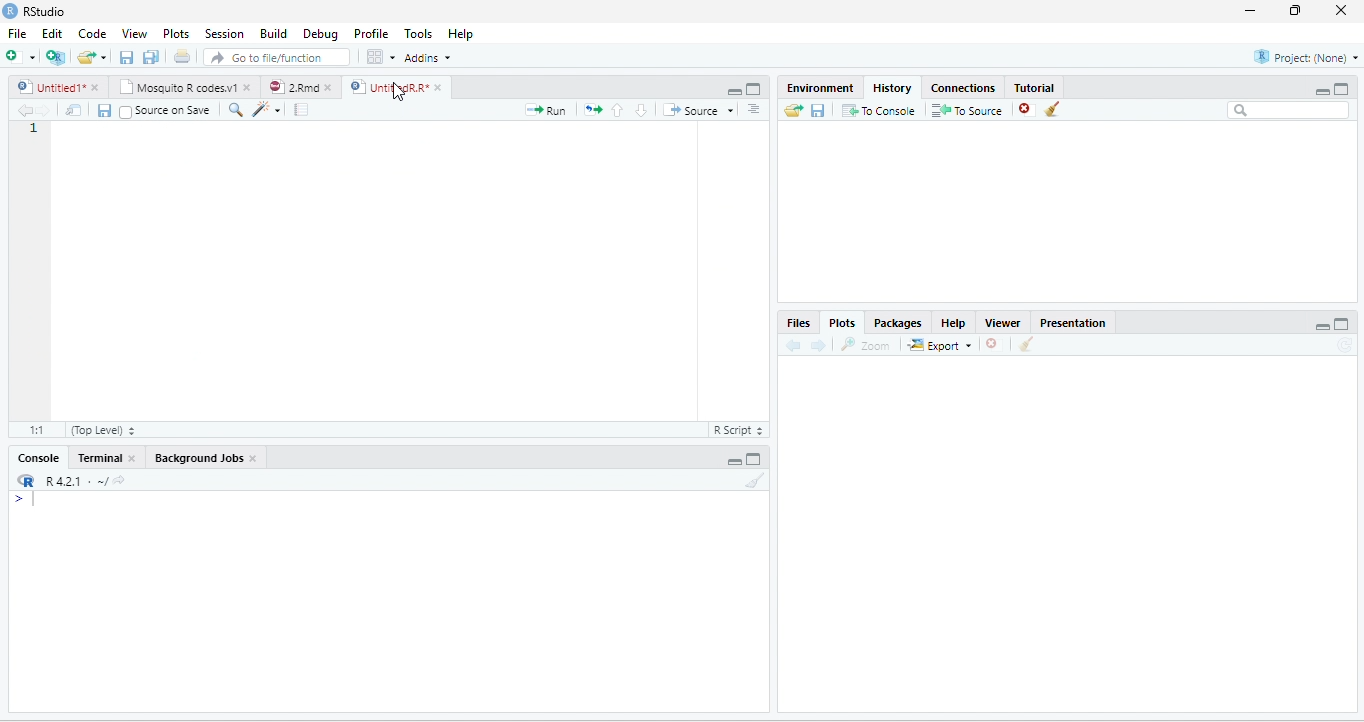  I want to click on Clear all history entries, so click(1053, 109).